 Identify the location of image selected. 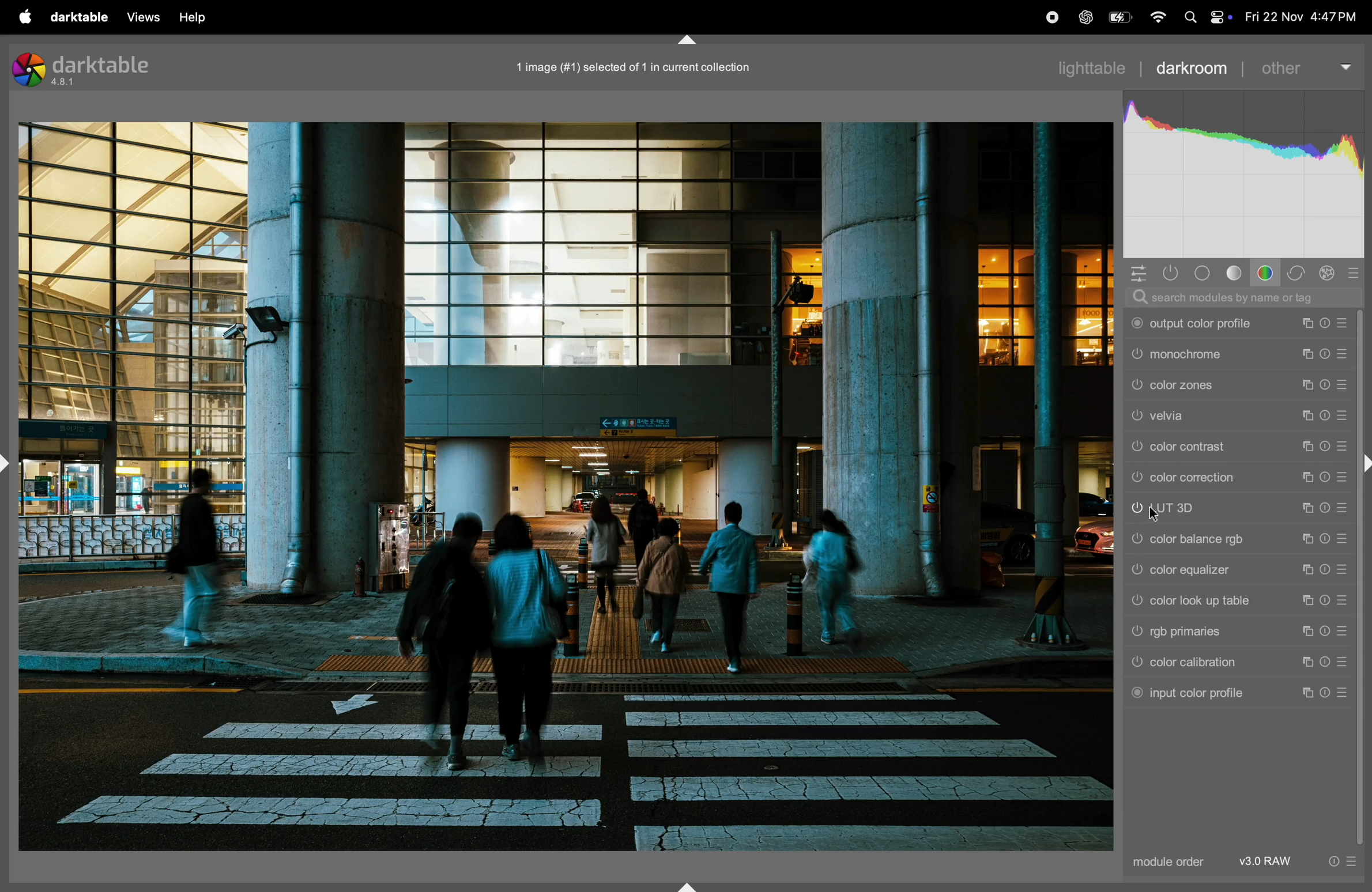
(648, 65).